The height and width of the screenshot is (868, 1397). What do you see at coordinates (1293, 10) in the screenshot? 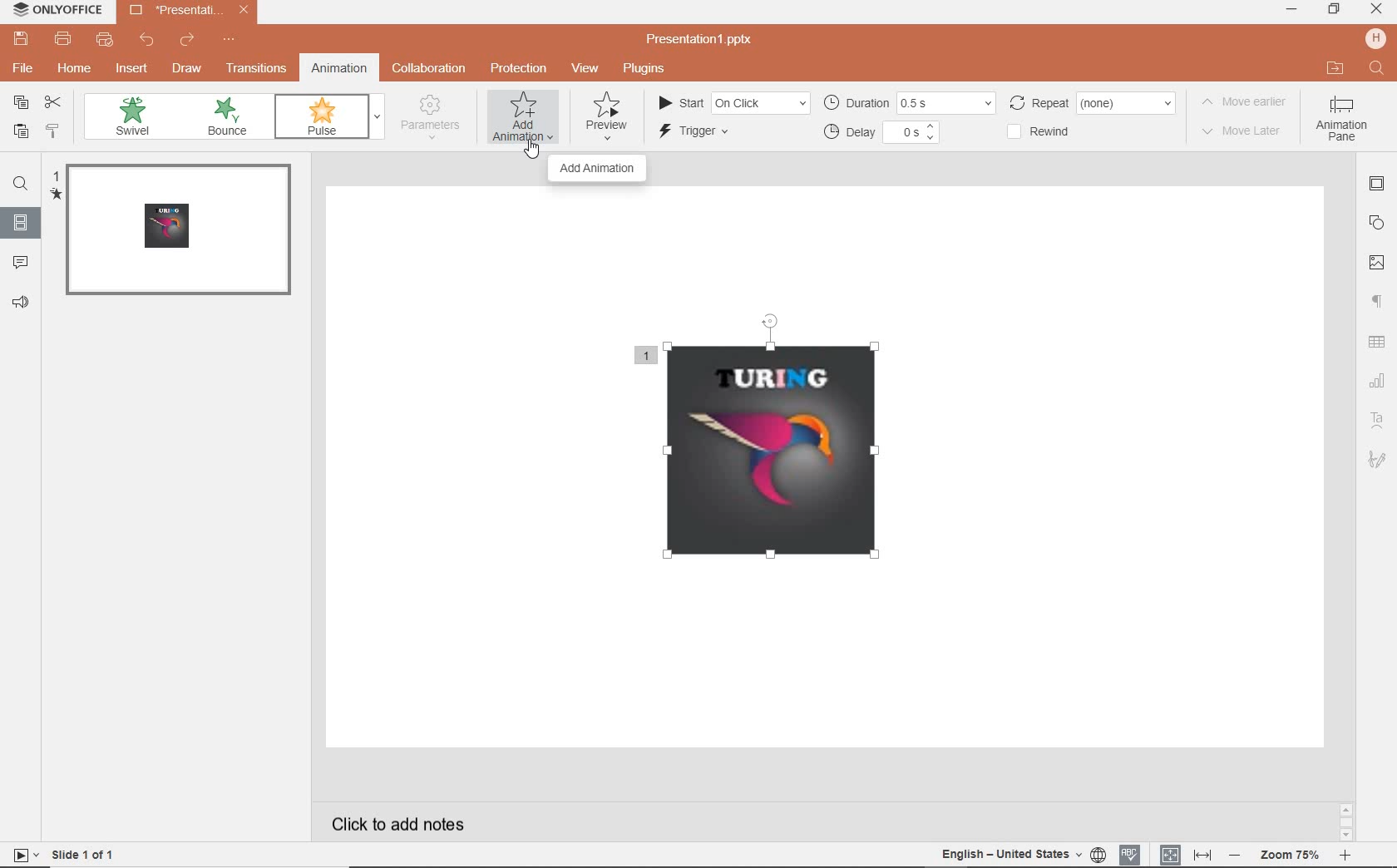
I see `minimize` at bounding box center [1293, 10].